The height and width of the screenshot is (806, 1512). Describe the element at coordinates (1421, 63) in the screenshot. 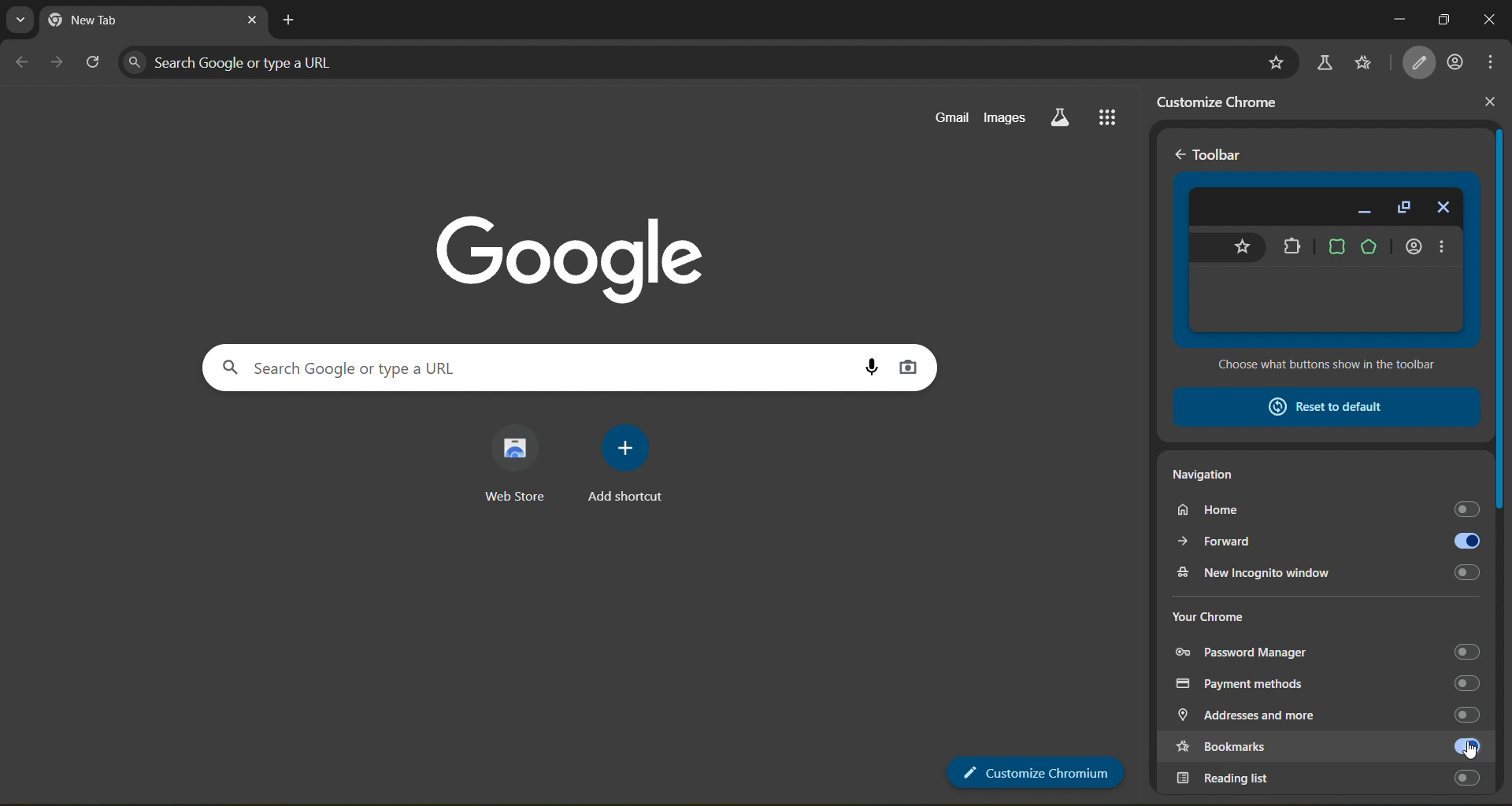

I see `customize chrome` at that location.